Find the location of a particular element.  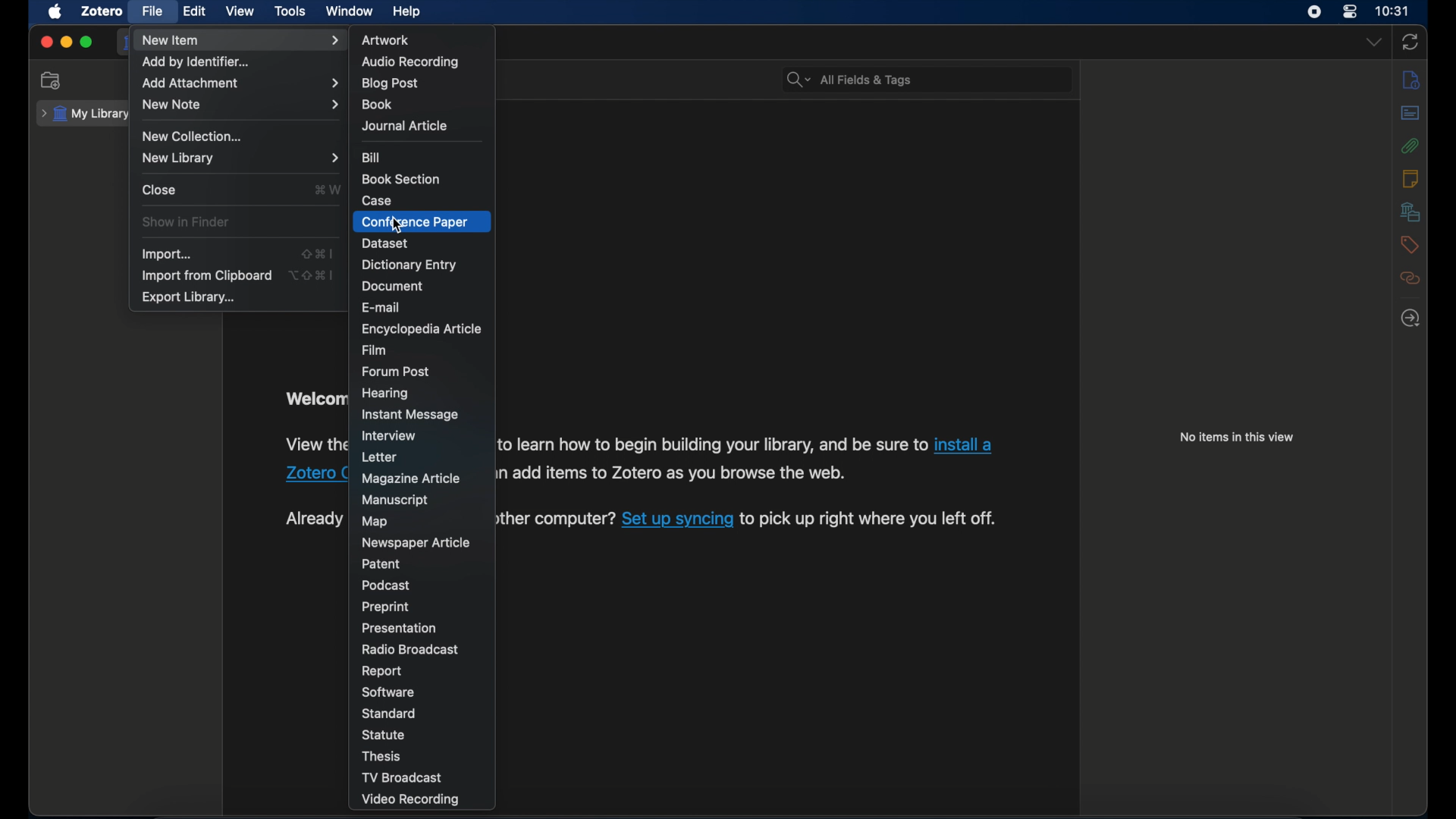

artwork is located at coordinates (386, 40).